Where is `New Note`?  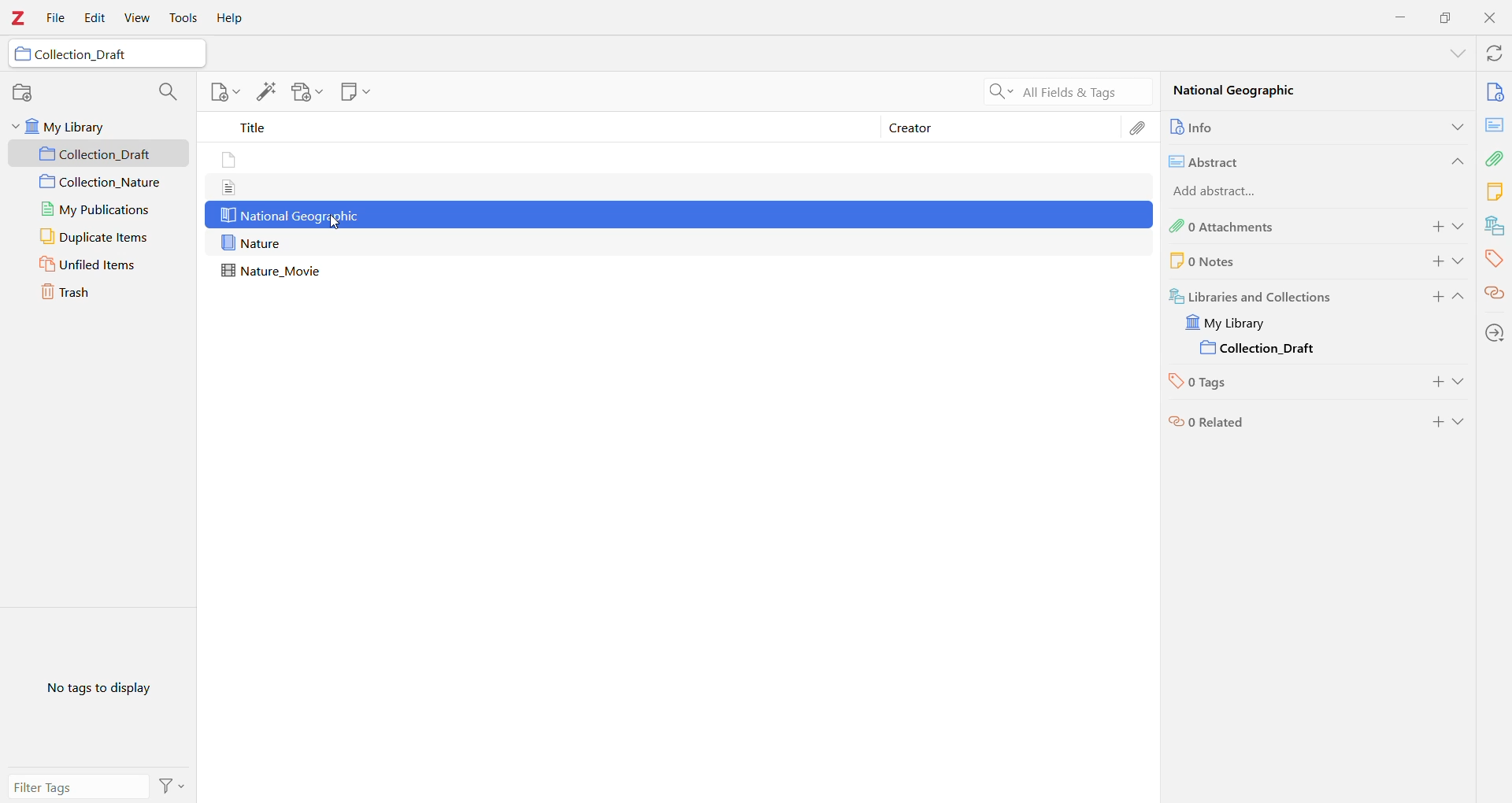
New Note is located at coordinates (355, 92).